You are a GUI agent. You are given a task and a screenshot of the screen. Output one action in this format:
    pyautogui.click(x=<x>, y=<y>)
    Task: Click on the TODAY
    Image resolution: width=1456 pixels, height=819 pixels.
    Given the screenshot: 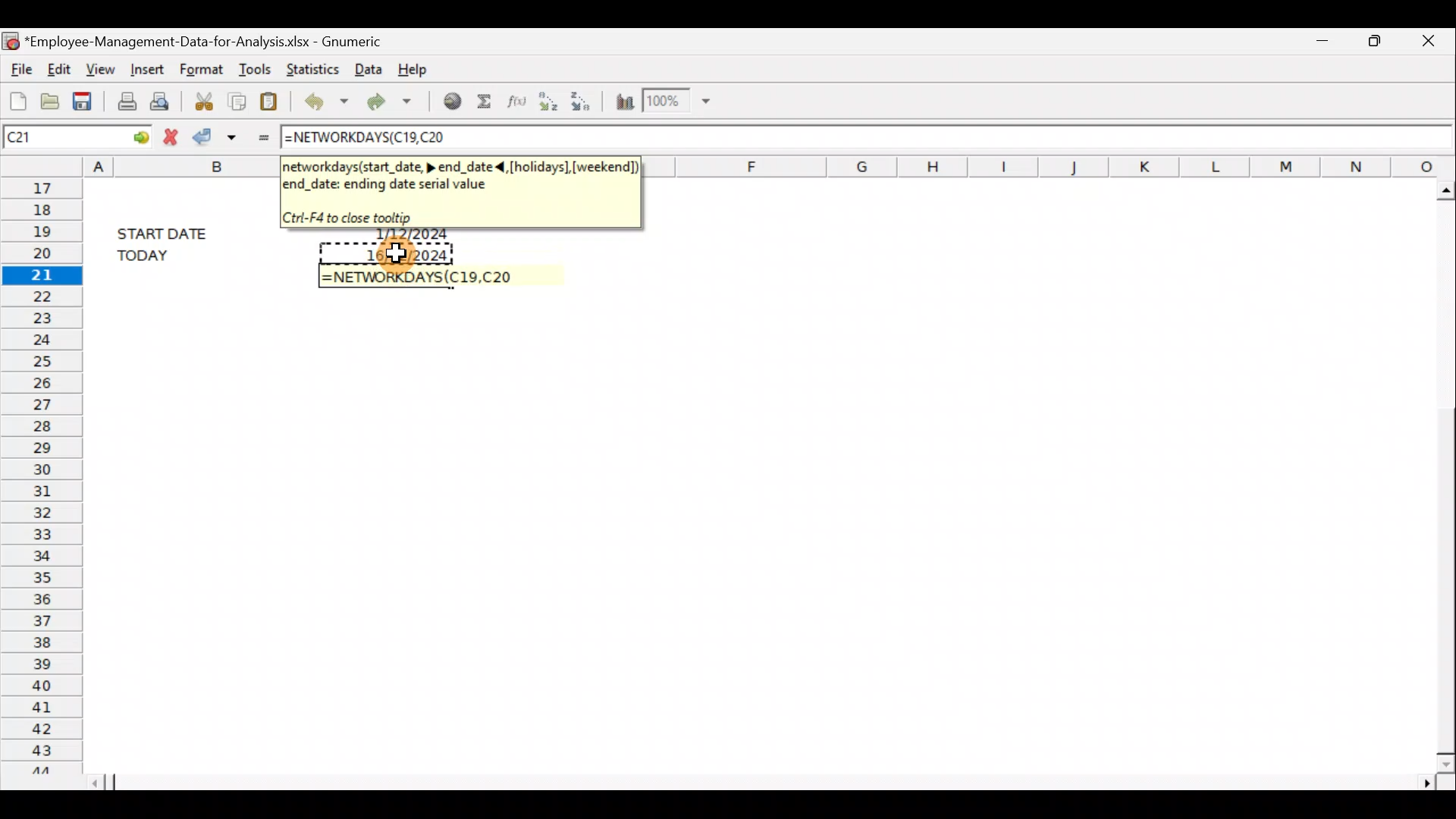 What is the action you would take?
    pyautogui.click(x=168, y=255)
    